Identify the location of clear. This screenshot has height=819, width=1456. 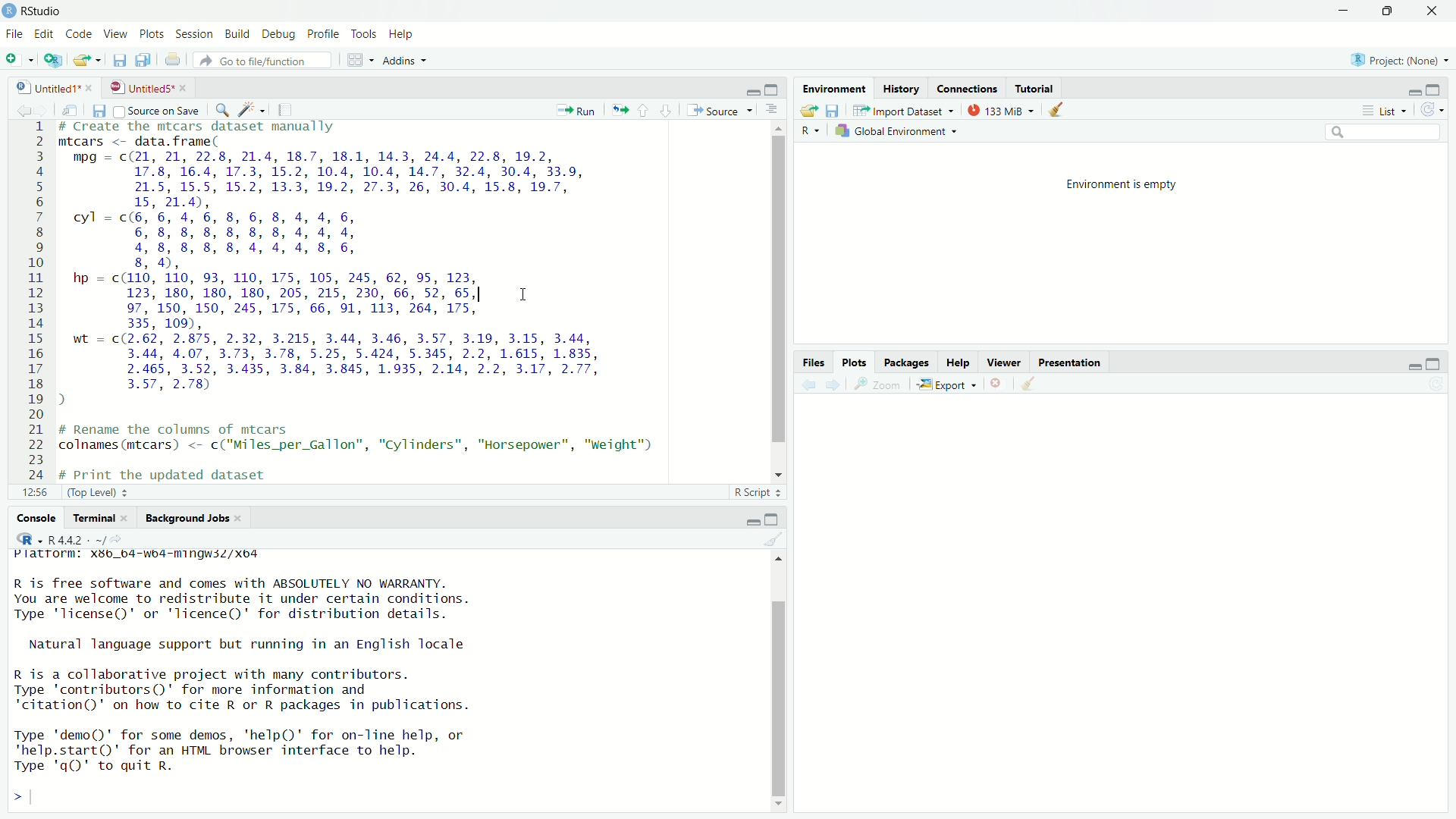
(773, 538).